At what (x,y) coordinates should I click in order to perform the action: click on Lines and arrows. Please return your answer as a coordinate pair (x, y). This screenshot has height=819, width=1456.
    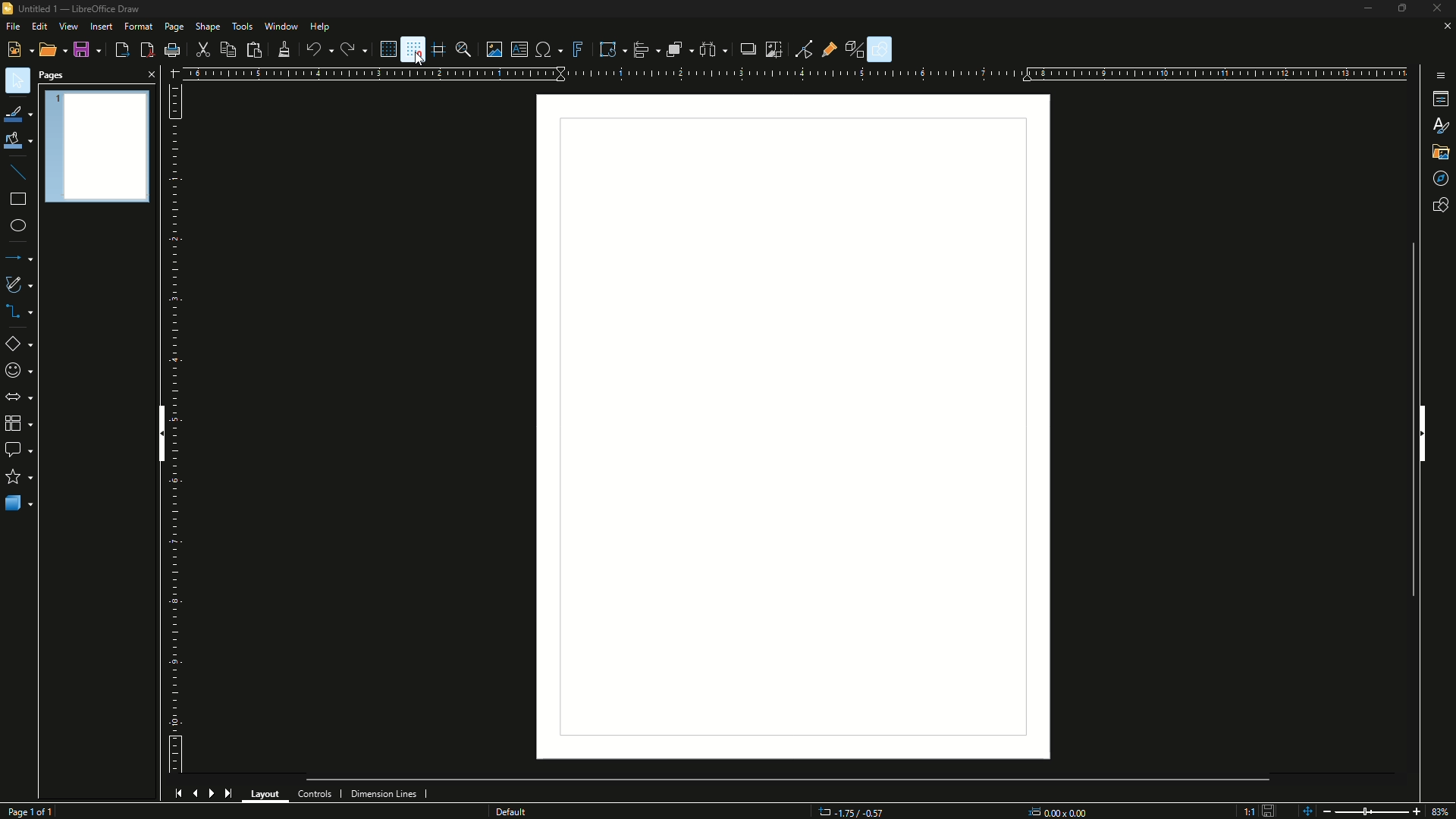
    Looking at the image, I should click on (31, 256).